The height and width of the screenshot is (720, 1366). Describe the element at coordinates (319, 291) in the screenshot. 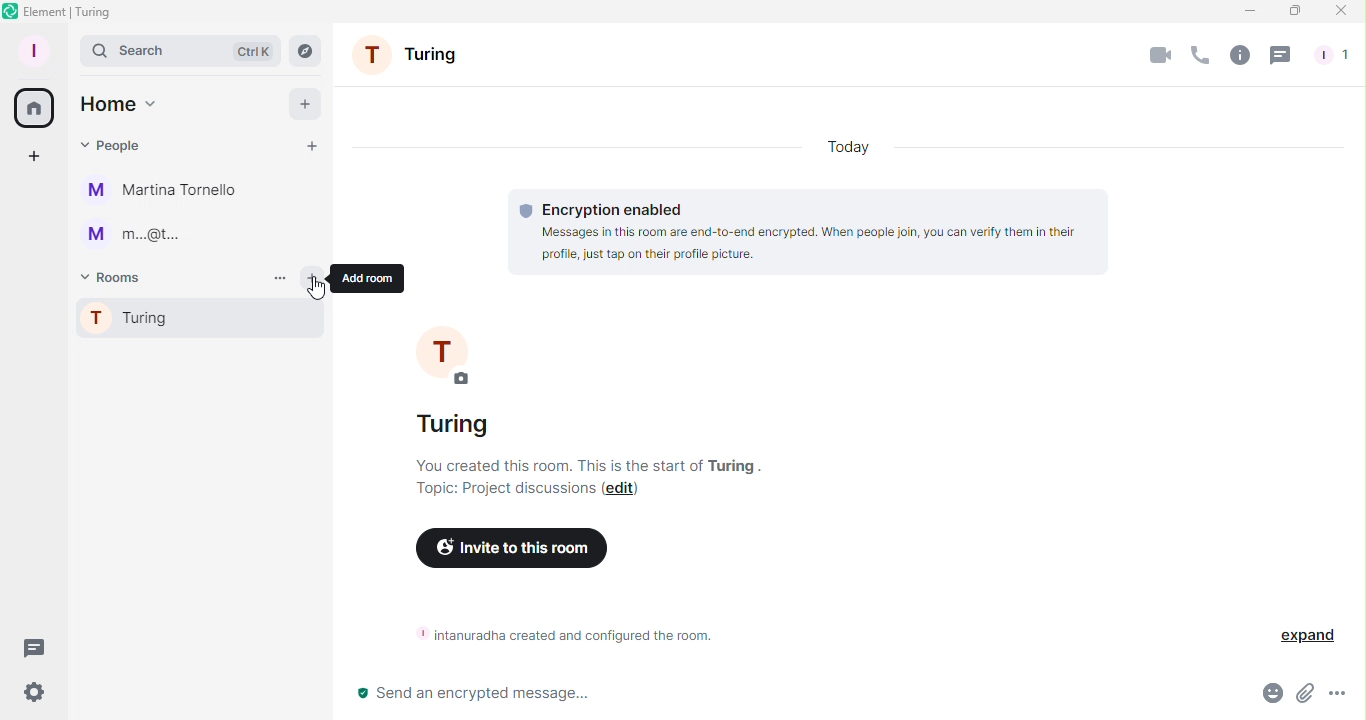

I see `Cursor` at that location.